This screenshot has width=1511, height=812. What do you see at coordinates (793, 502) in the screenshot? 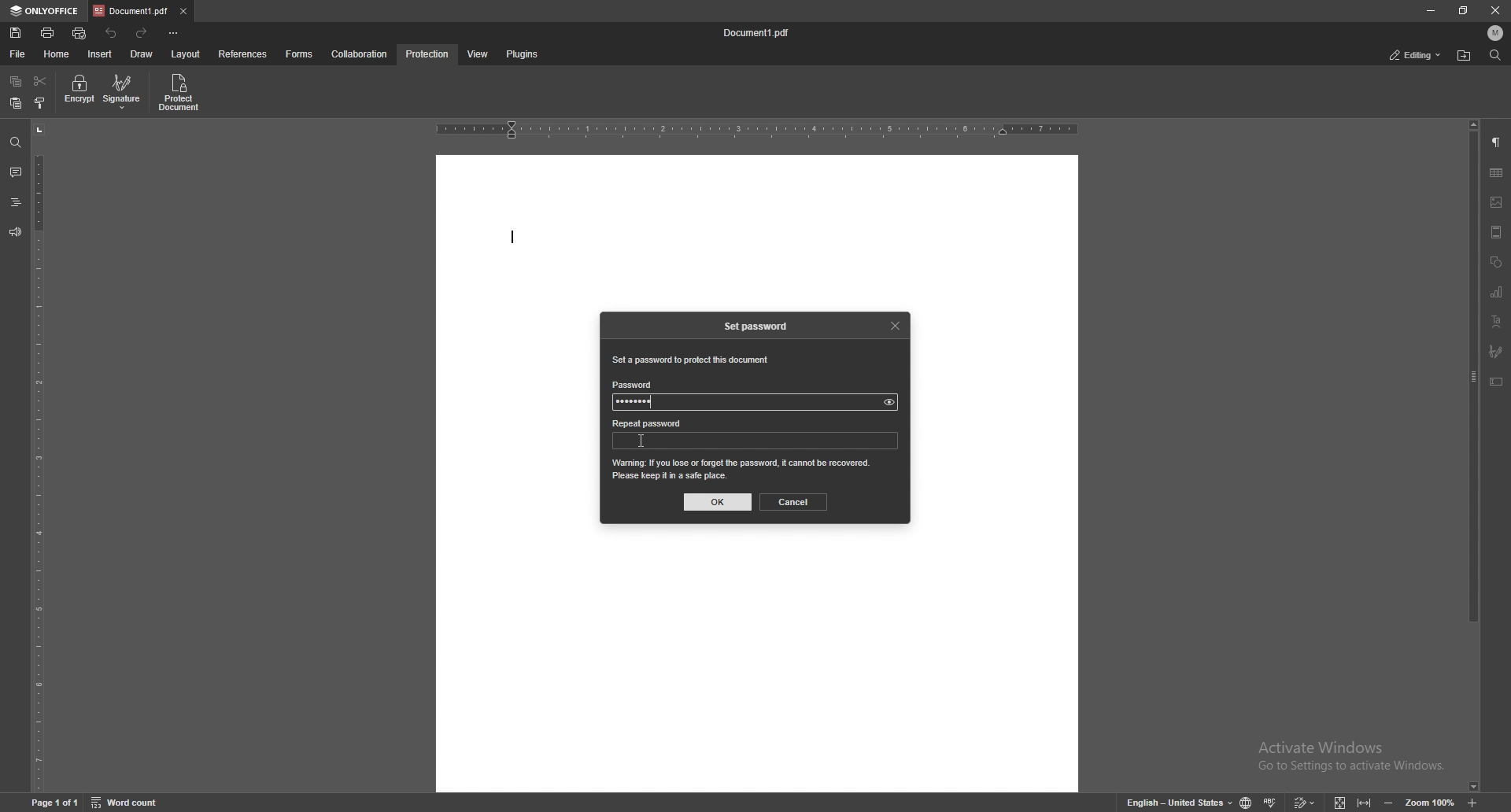
I see `cancel` at bounding box center [793, 502].